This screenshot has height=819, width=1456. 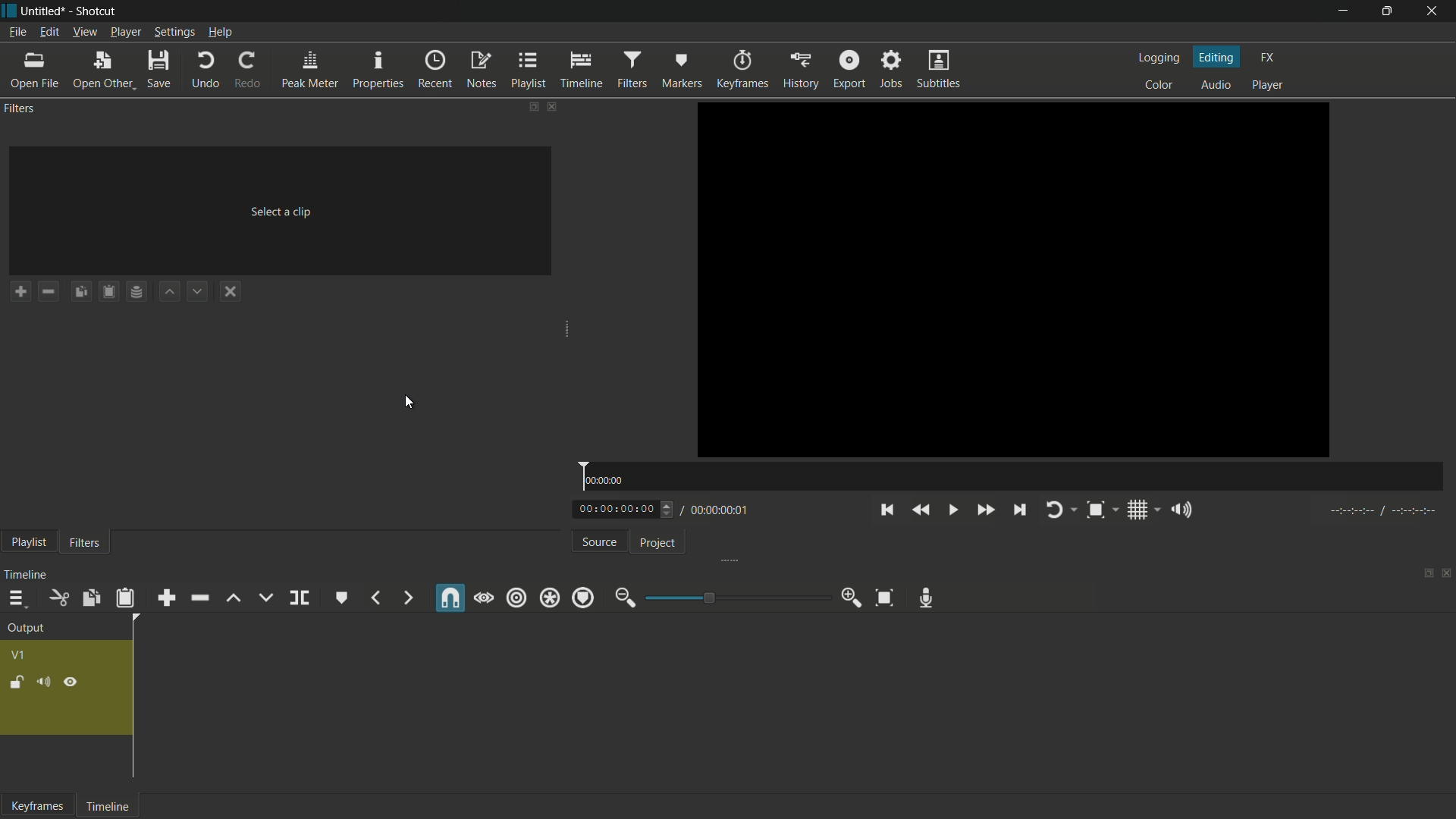 I want to click on Link, so click(x=447, y=596).